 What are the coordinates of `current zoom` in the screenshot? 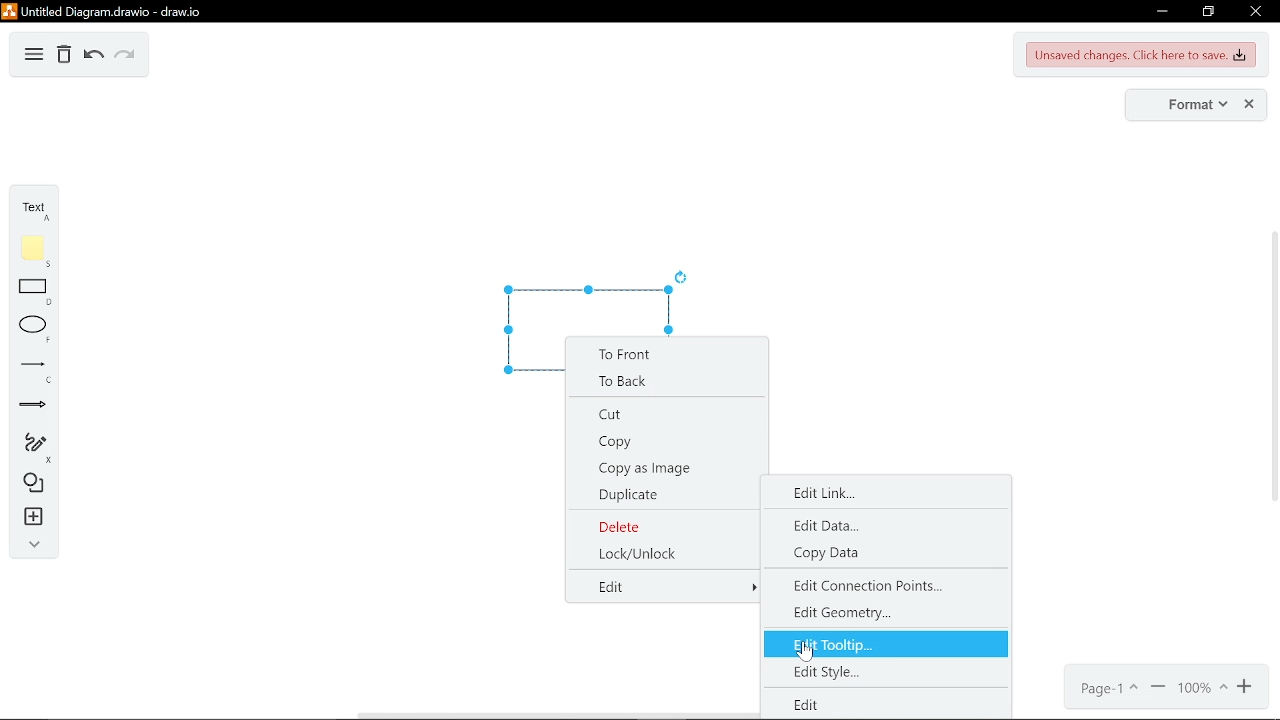 It's located at (1201, 688).